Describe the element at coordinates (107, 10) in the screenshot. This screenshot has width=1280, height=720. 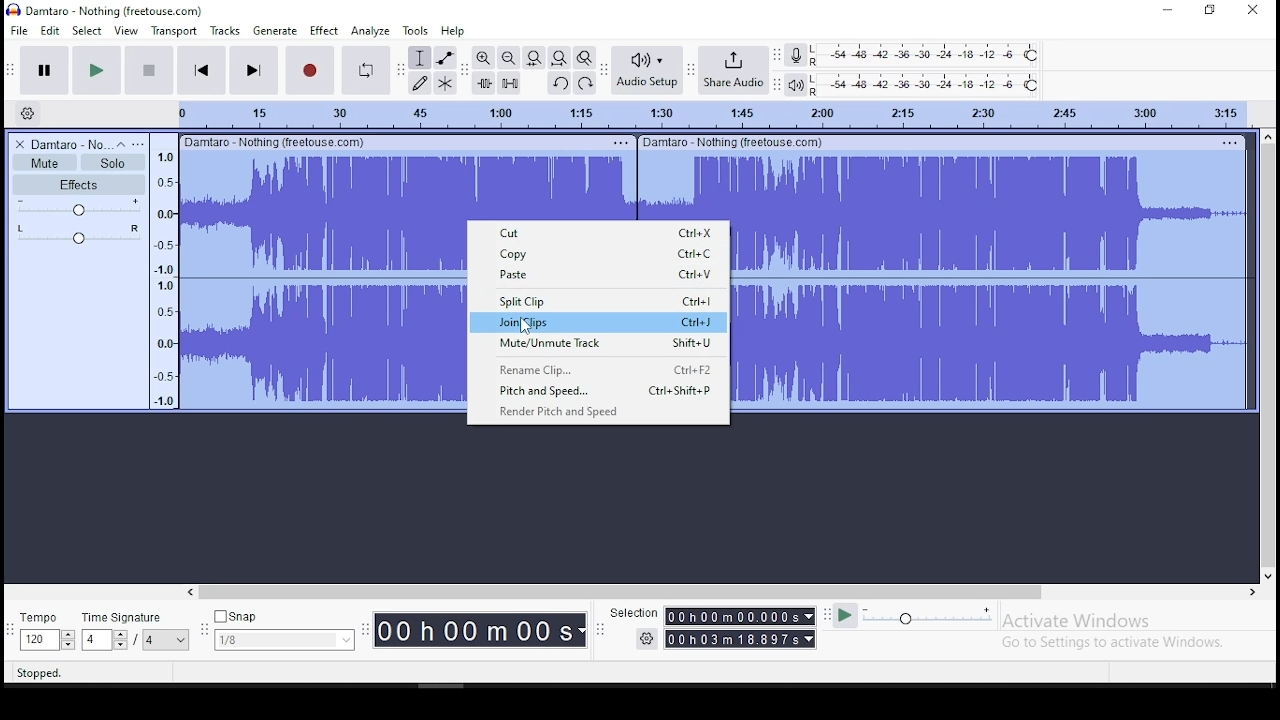
I see `icon and file name` at that location.